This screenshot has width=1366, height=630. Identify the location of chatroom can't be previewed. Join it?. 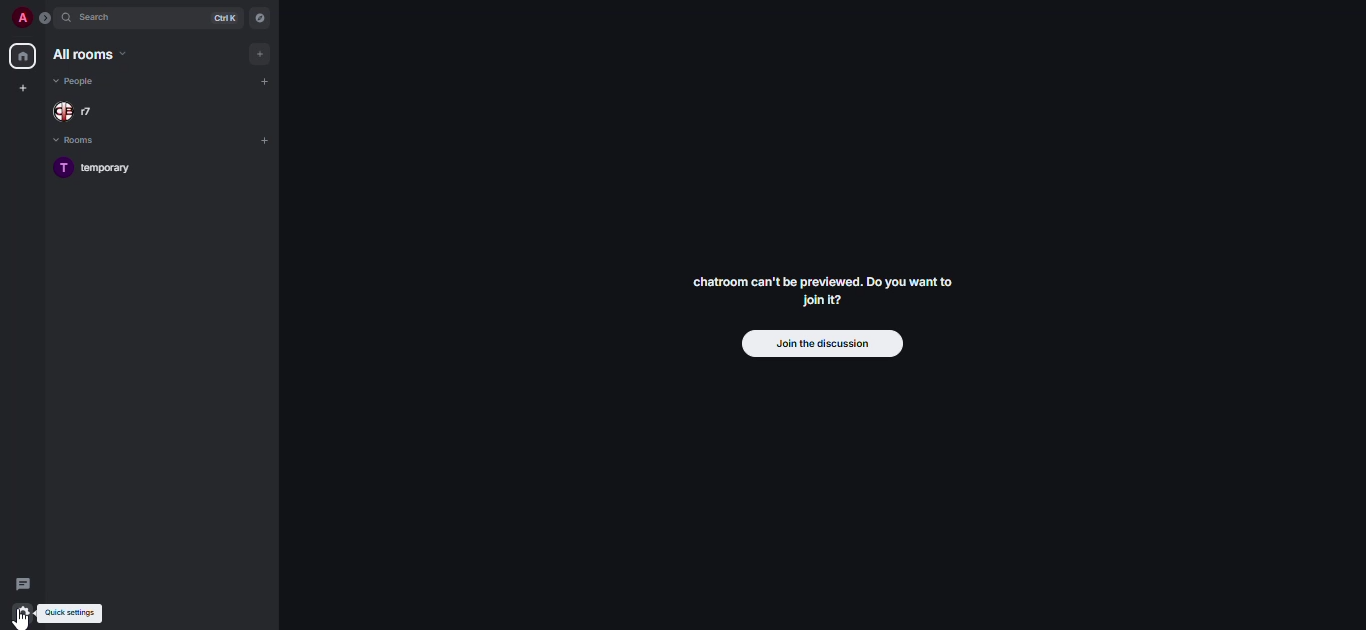
(820, 289).